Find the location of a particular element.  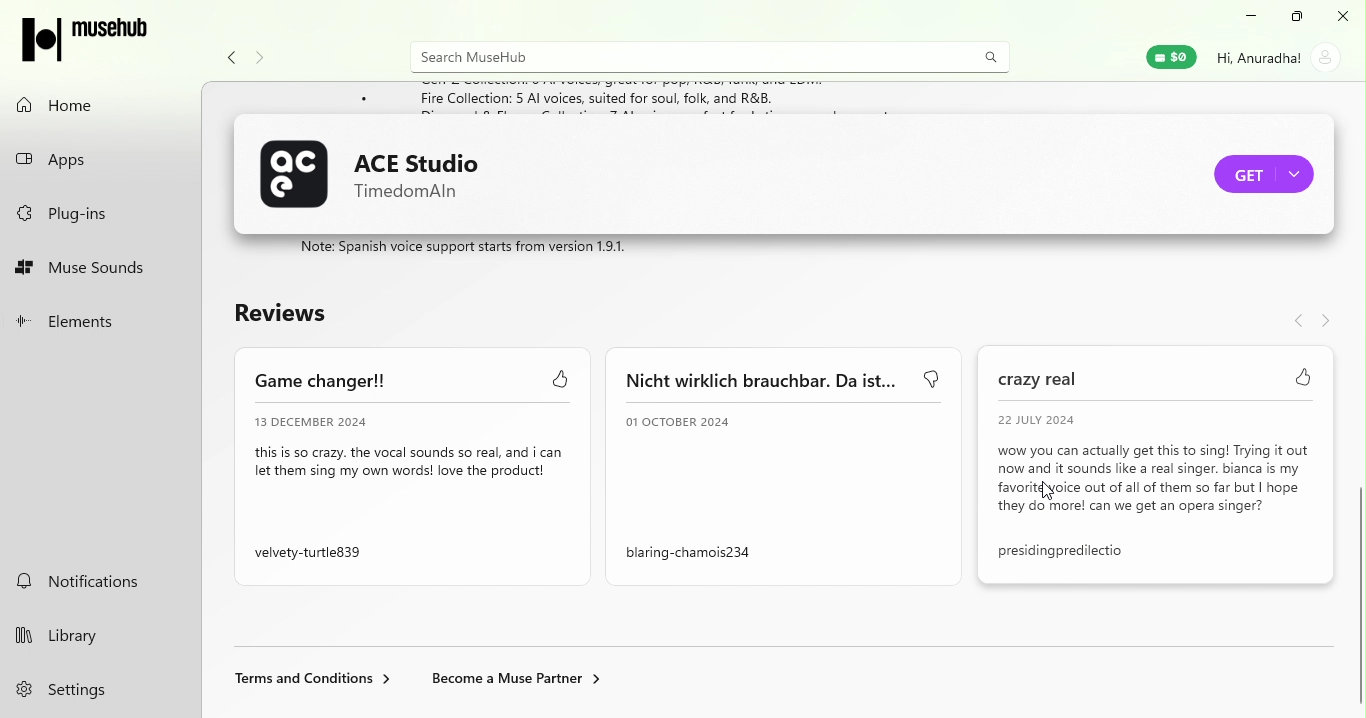

Terms and condition is located at coordinates (310, 682).